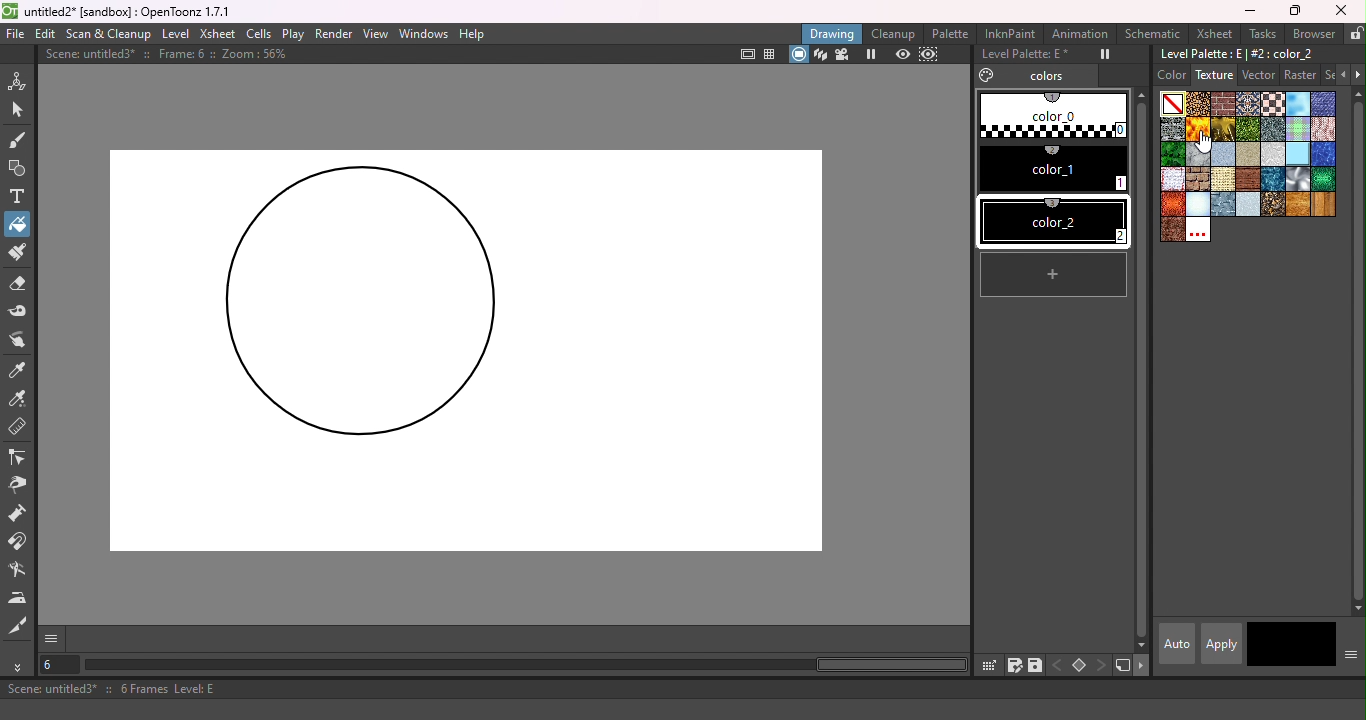  Describe the element at coordinates (424, 33) in the screenshot. I see `Windows` at that location.